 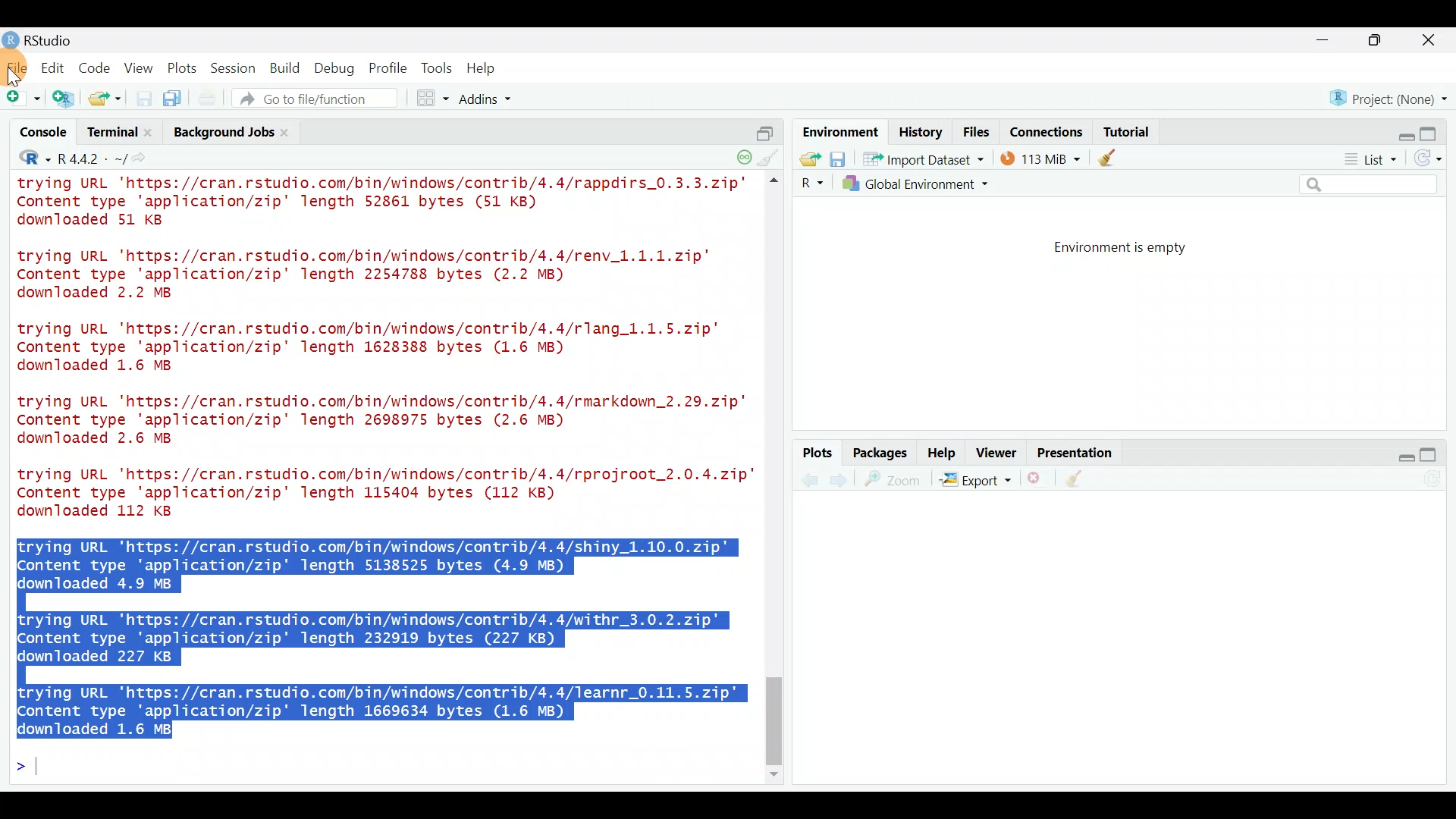 What do you see at coordinates (764, 127) in the screenshot?
I see `split` at bounding box center [764, 127].